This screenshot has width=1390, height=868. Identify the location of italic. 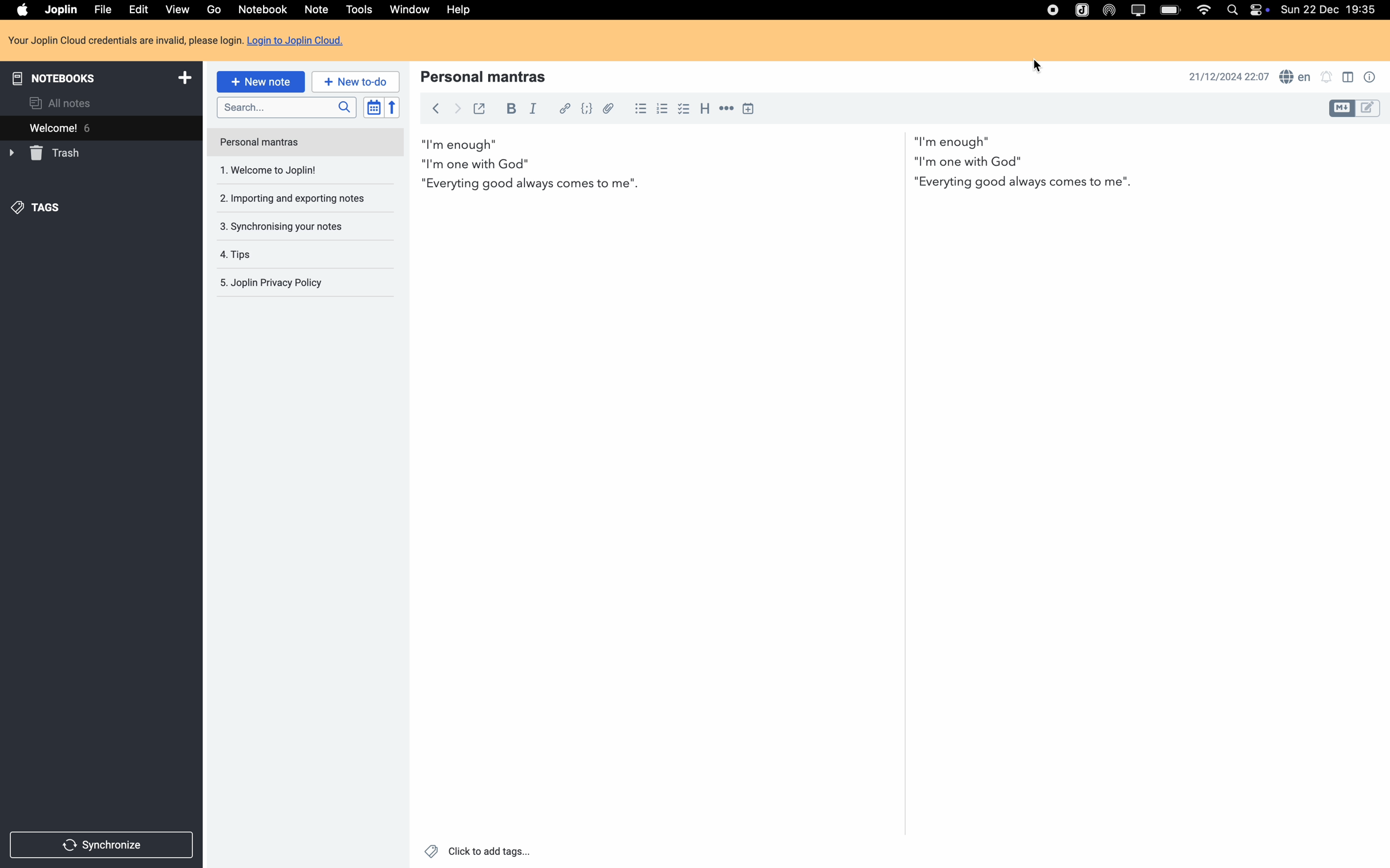
(531, 109).